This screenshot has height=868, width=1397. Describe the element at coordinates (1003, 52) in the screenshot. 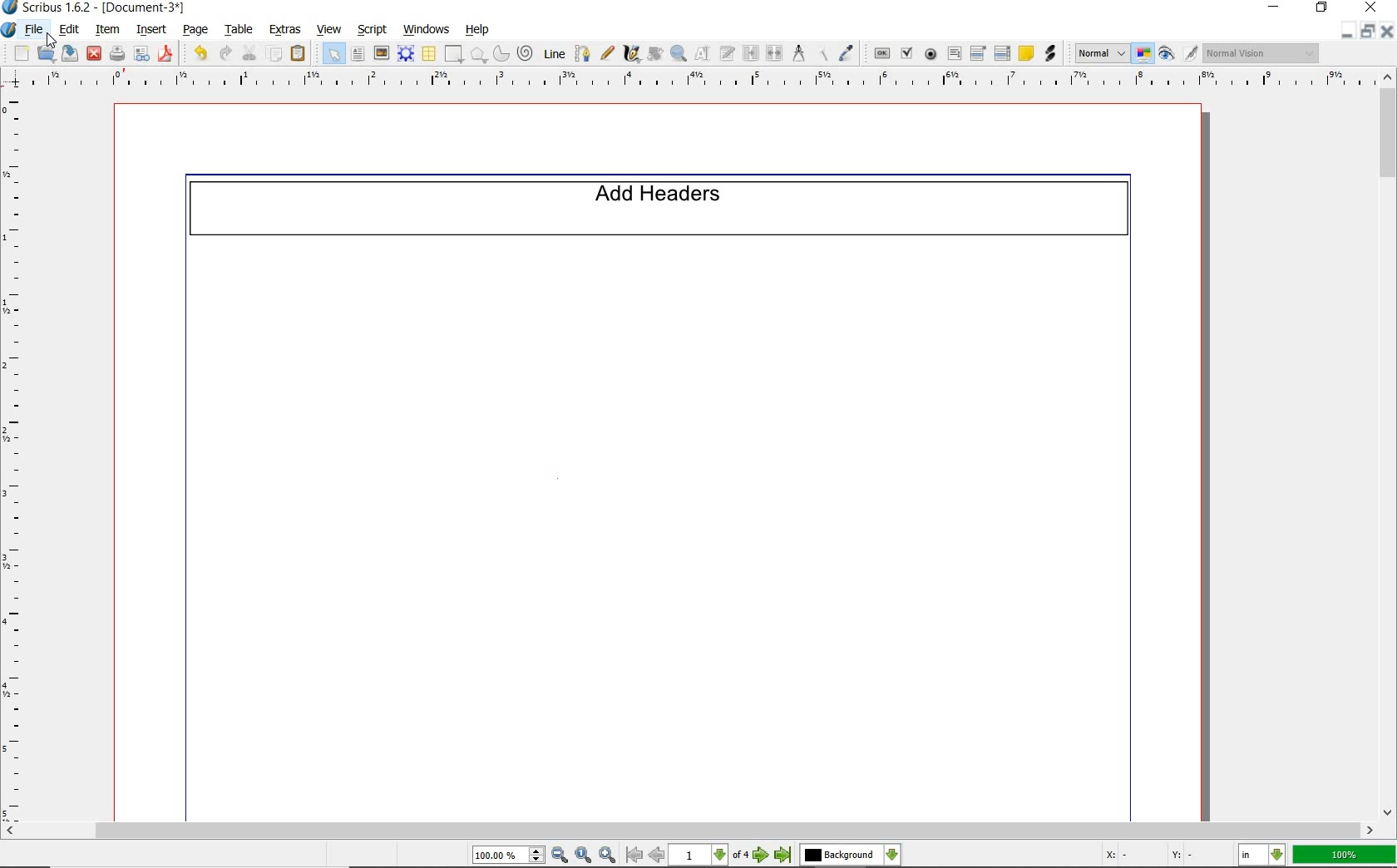

I see `pdf list box` at that location.